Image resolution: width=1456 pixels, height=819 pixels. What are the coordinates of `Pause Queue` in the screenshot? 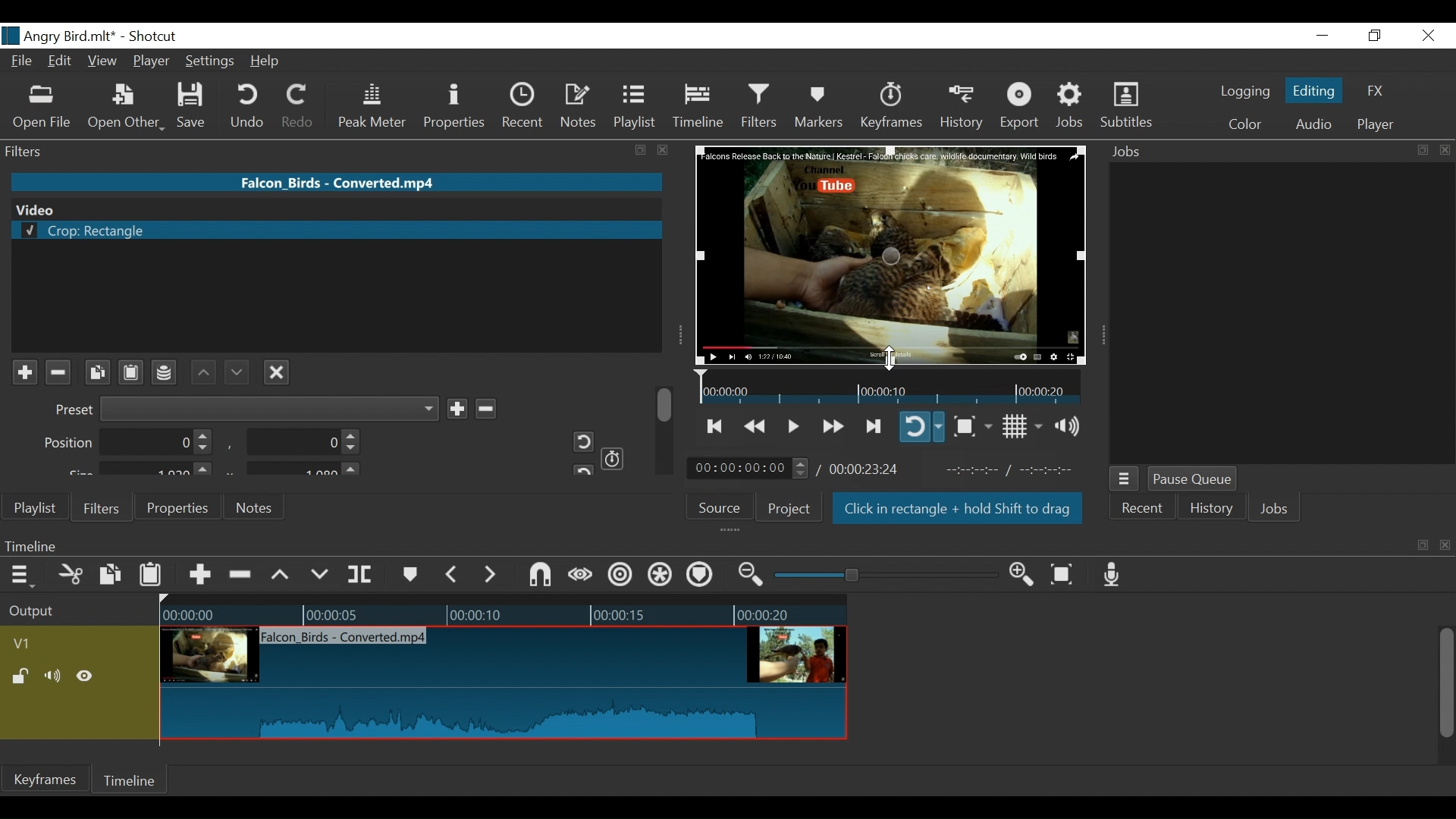 It's located at (1194, 480).